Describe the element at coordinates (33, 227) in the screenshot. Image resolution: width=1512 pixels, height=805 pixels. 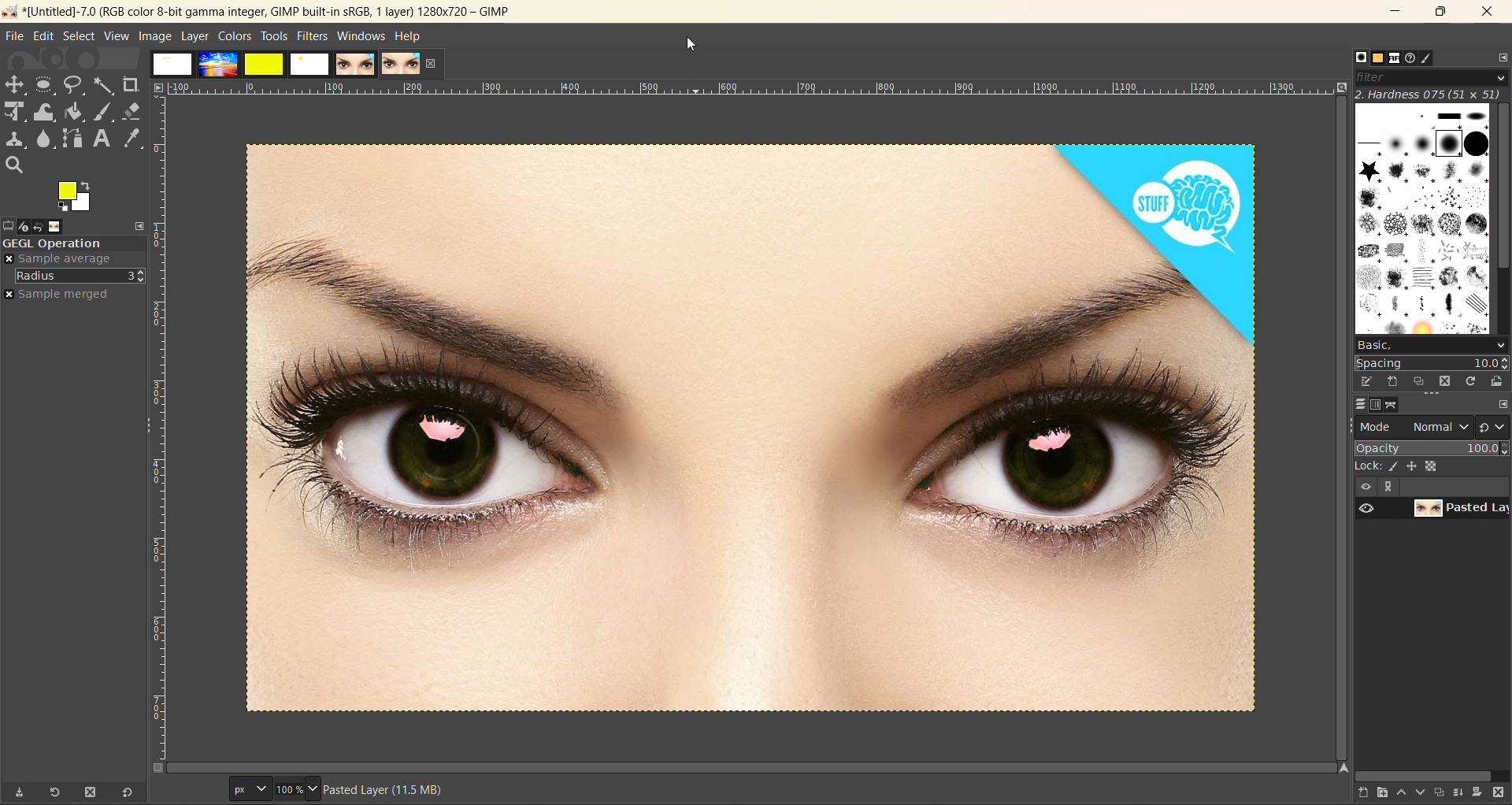
I see `device status, undo history` at that location.